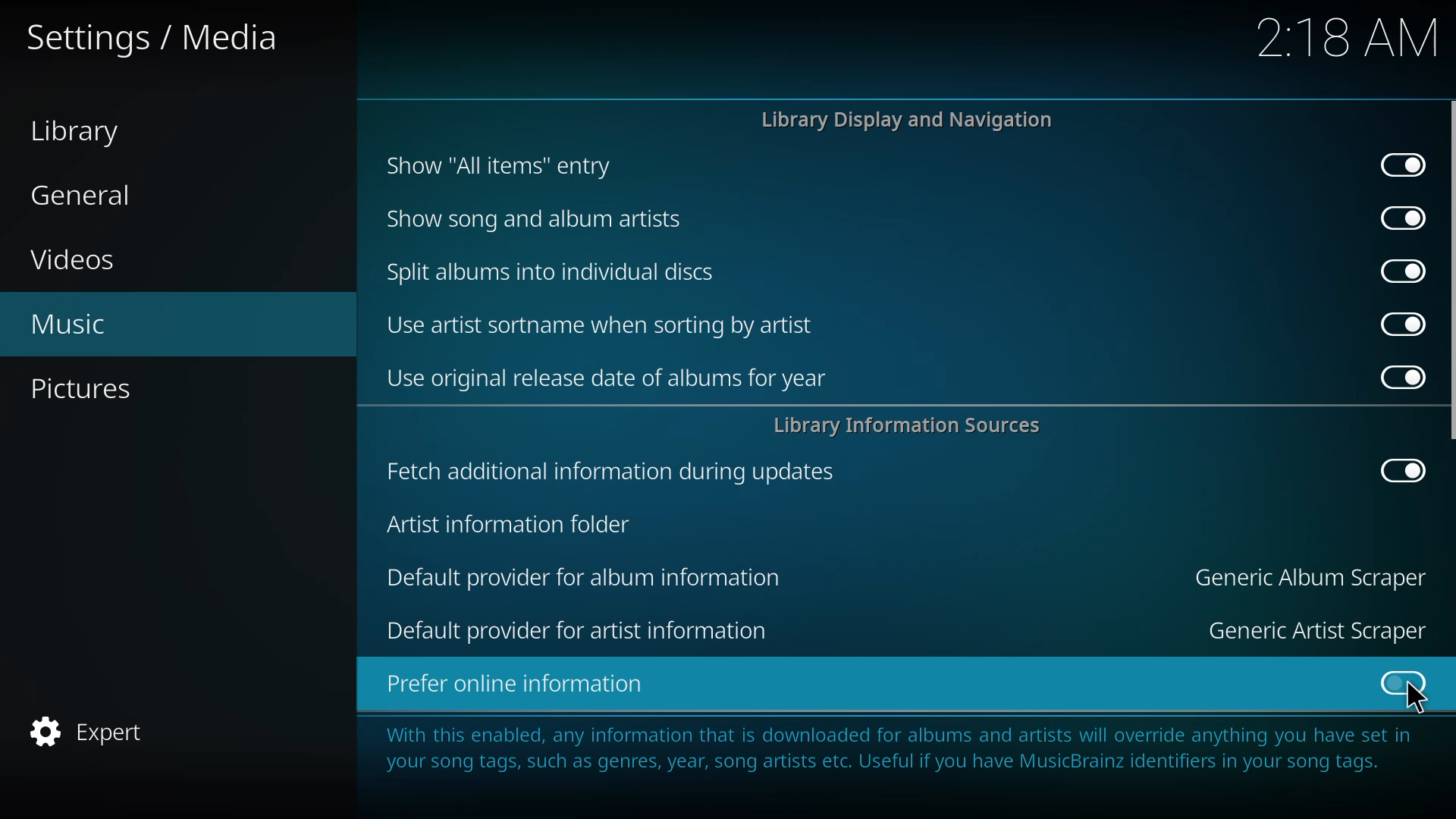 This screenshot has height=819, width=1456. I want to click on enabled, so click(1395, 324).